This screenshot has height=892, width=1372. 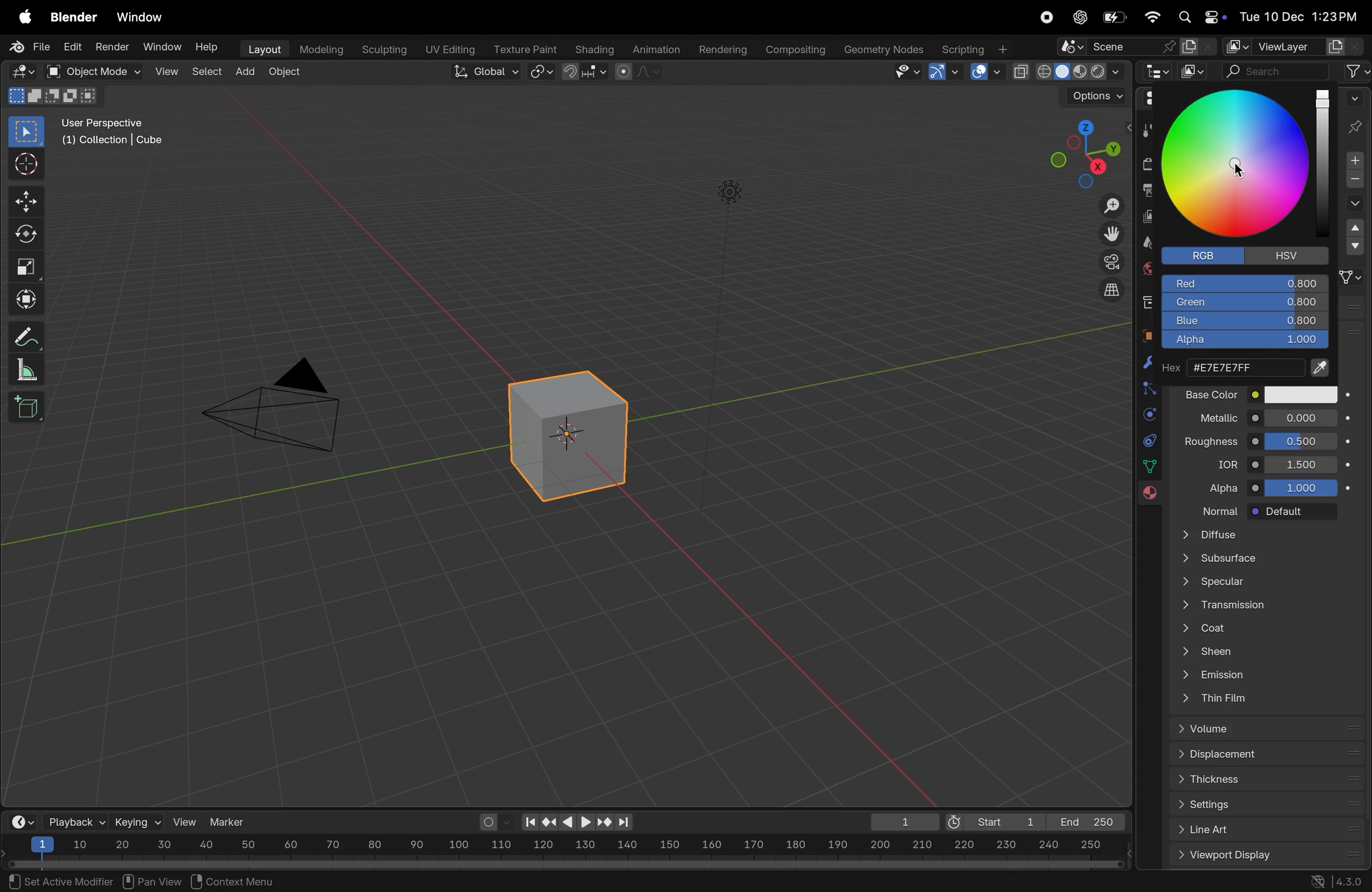 What do you see at coordinates (24, 263) in the screenshot?
I see `scale` at bounding box center [24, 263].